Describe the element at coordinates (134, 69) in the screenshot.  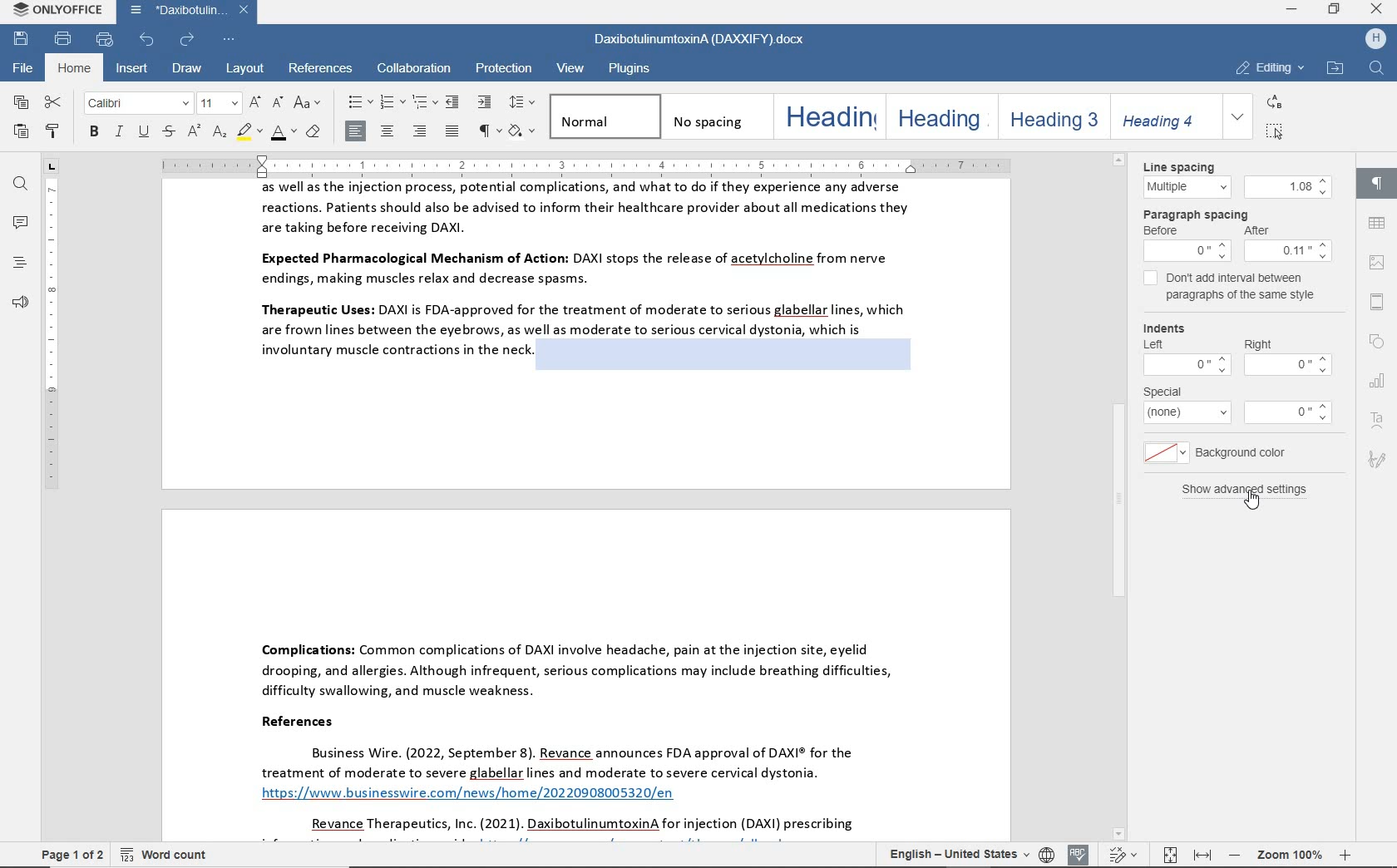
I see `insert` at that location.